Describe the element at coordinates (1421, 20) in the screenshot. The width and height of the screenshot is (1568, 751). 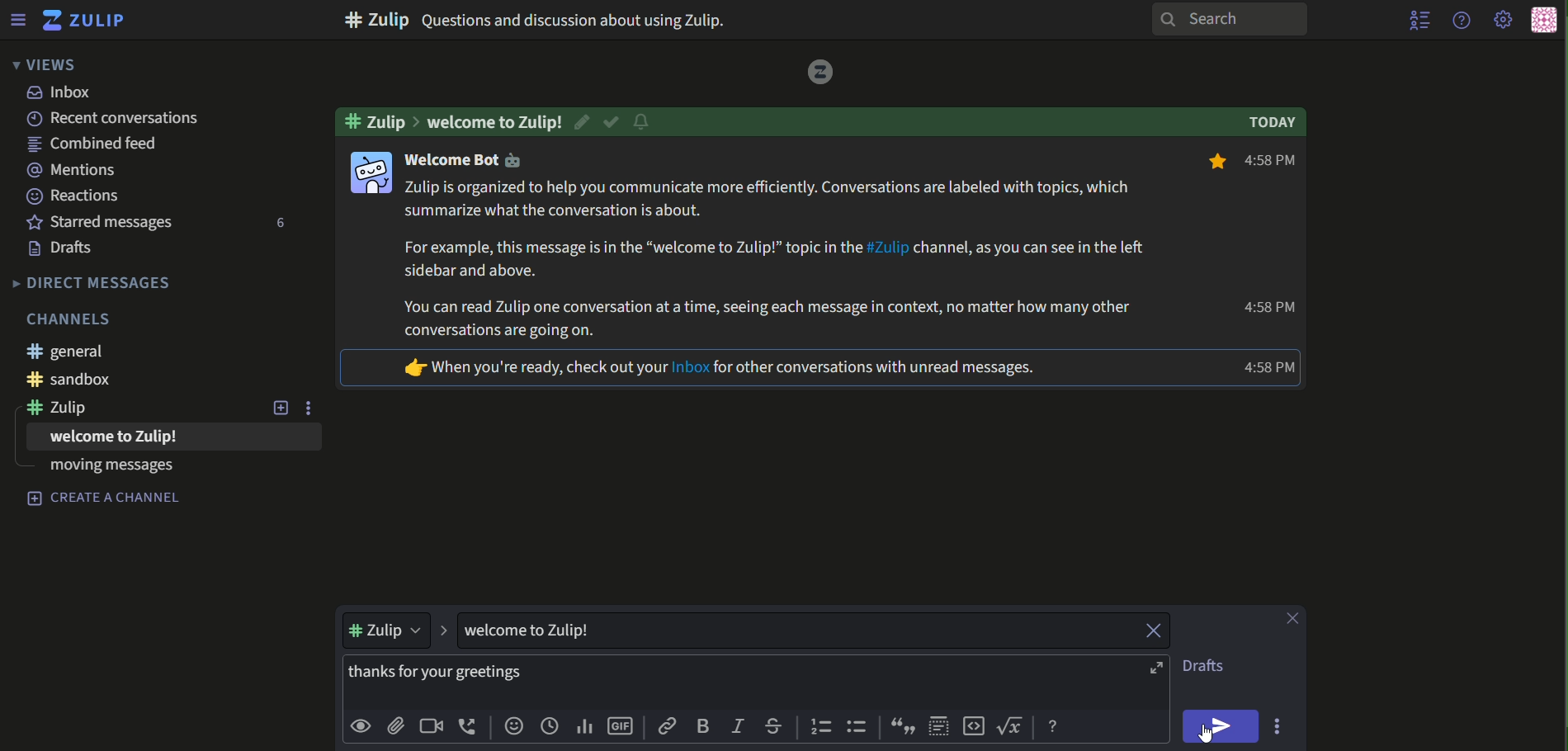
I see `user list` at that location.